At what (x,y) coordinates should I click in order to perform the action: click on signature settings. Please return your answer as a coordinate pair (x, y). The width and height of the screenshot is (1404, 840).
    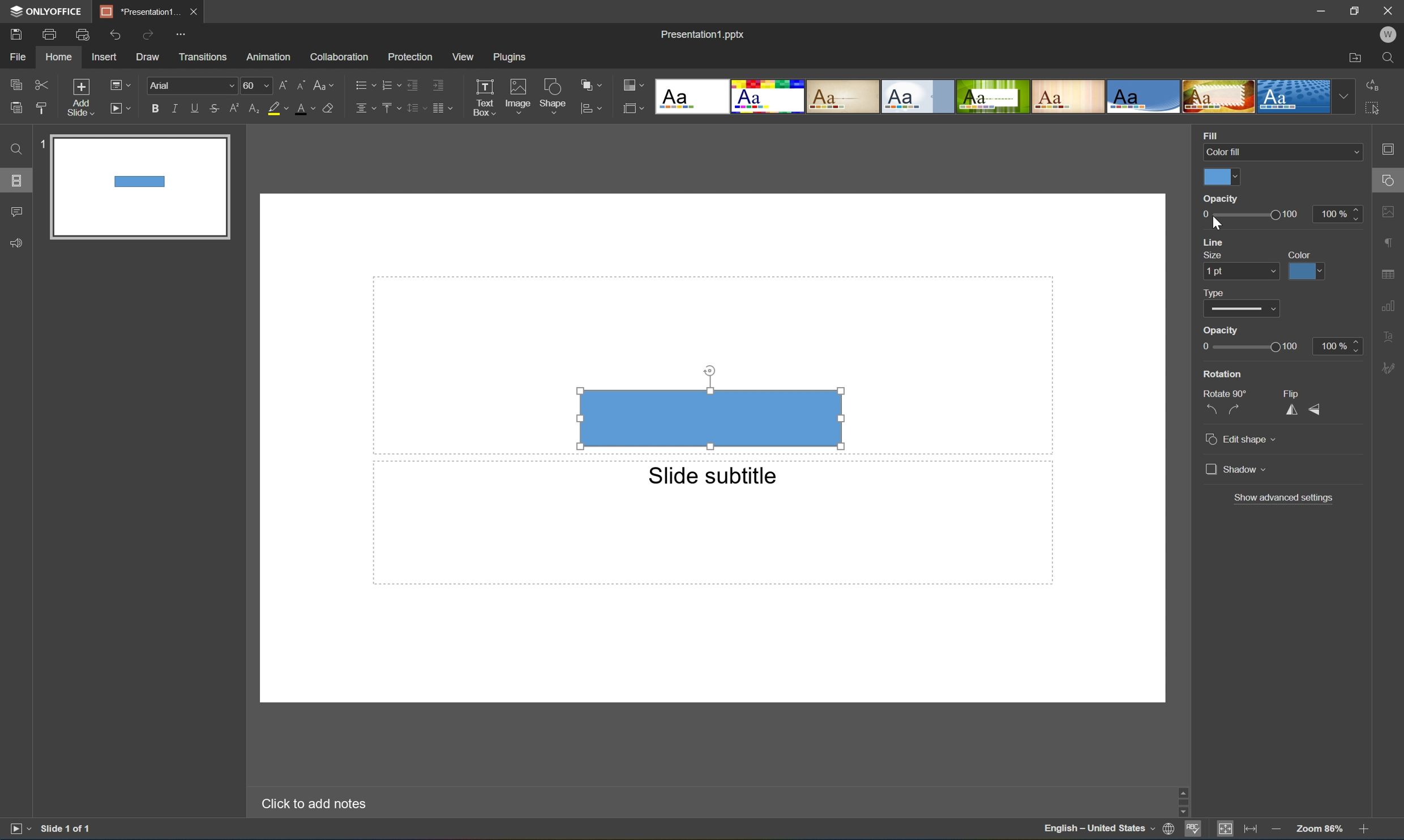
    Looking at the image, I should click on (1390, 368).